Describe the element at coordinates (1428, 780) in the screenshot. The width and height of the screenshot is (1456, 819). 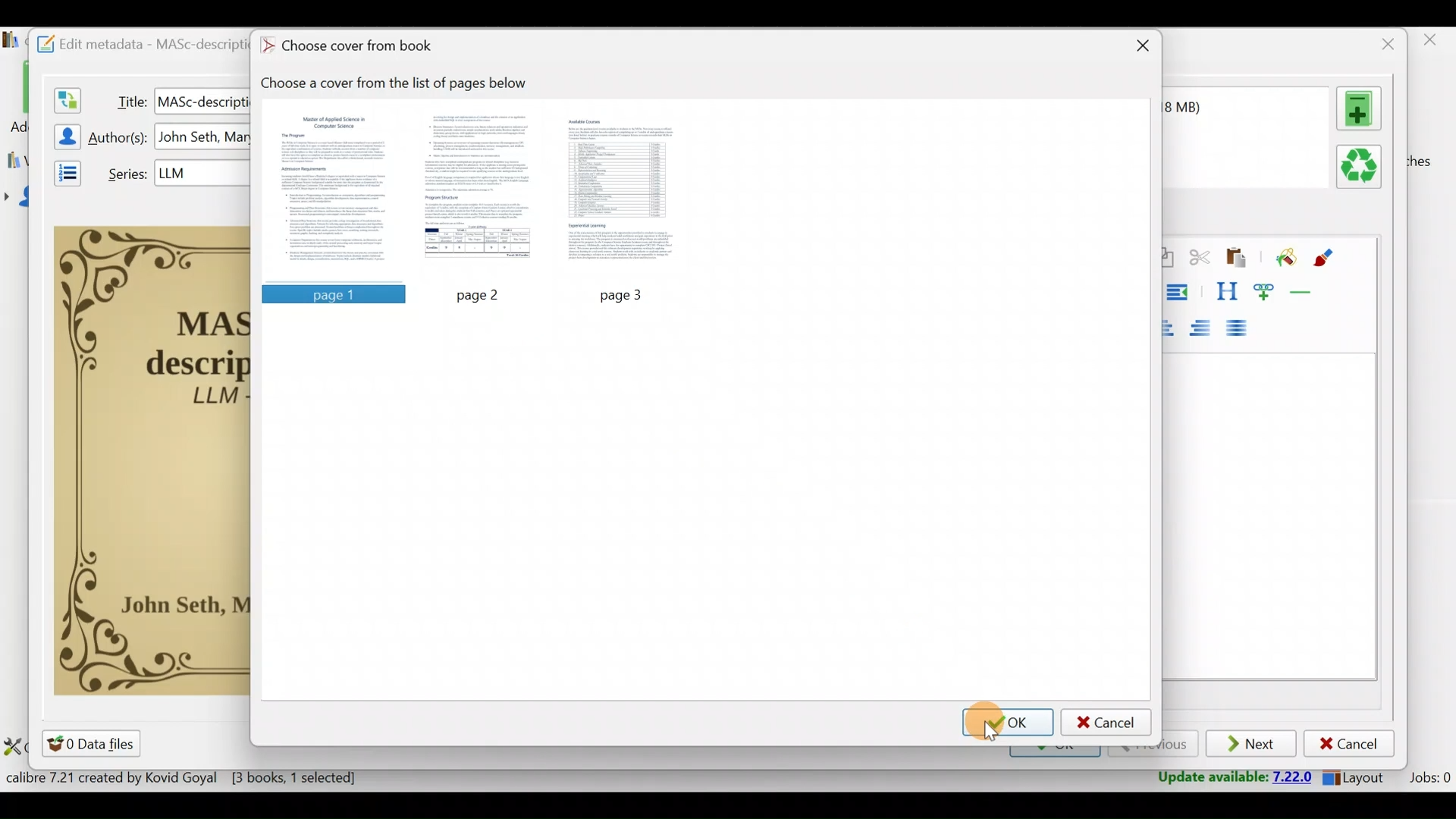
I see `Jobs` at that location.